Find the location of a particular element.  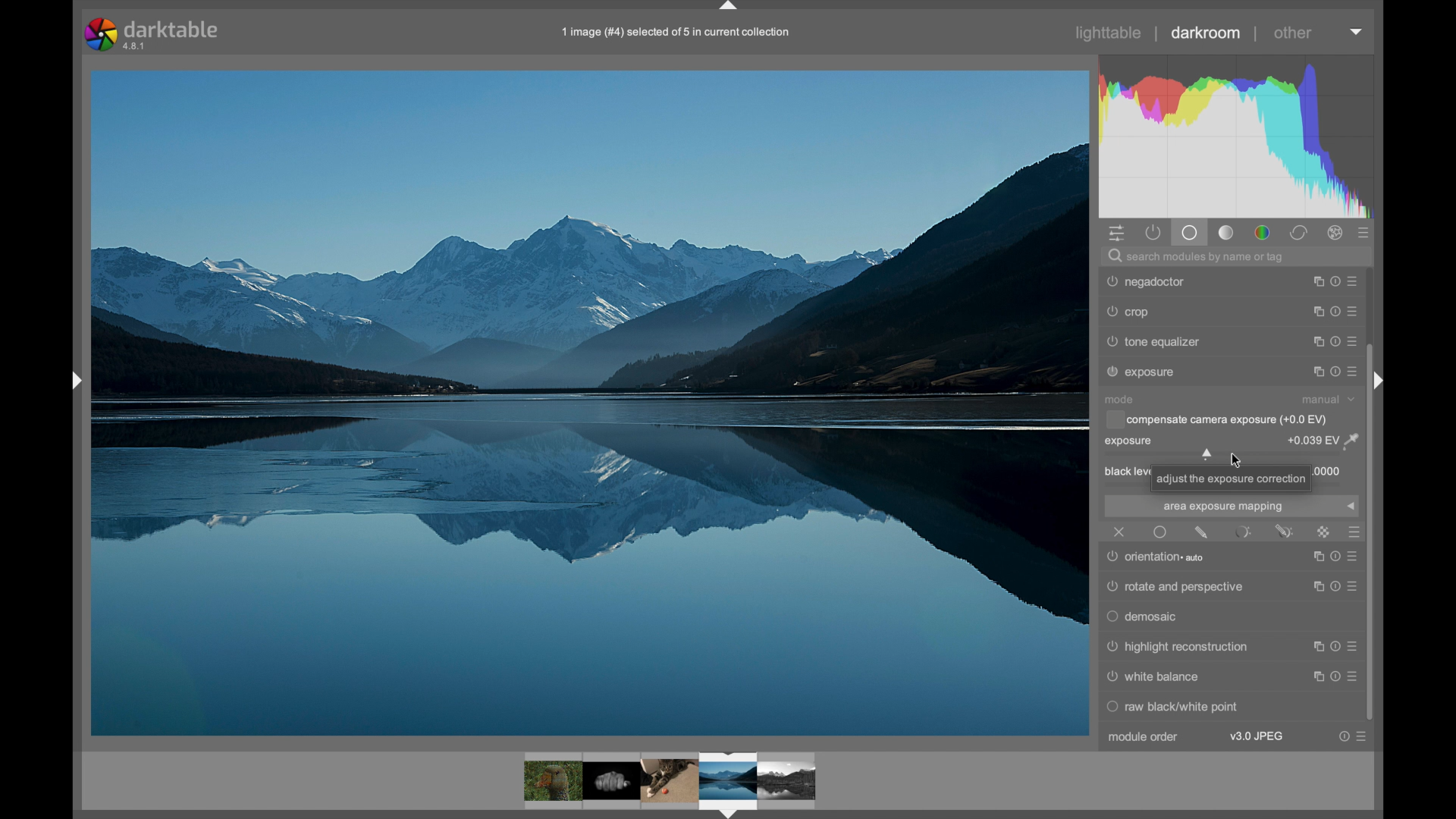

more options is located at coordinates (1336, 342).